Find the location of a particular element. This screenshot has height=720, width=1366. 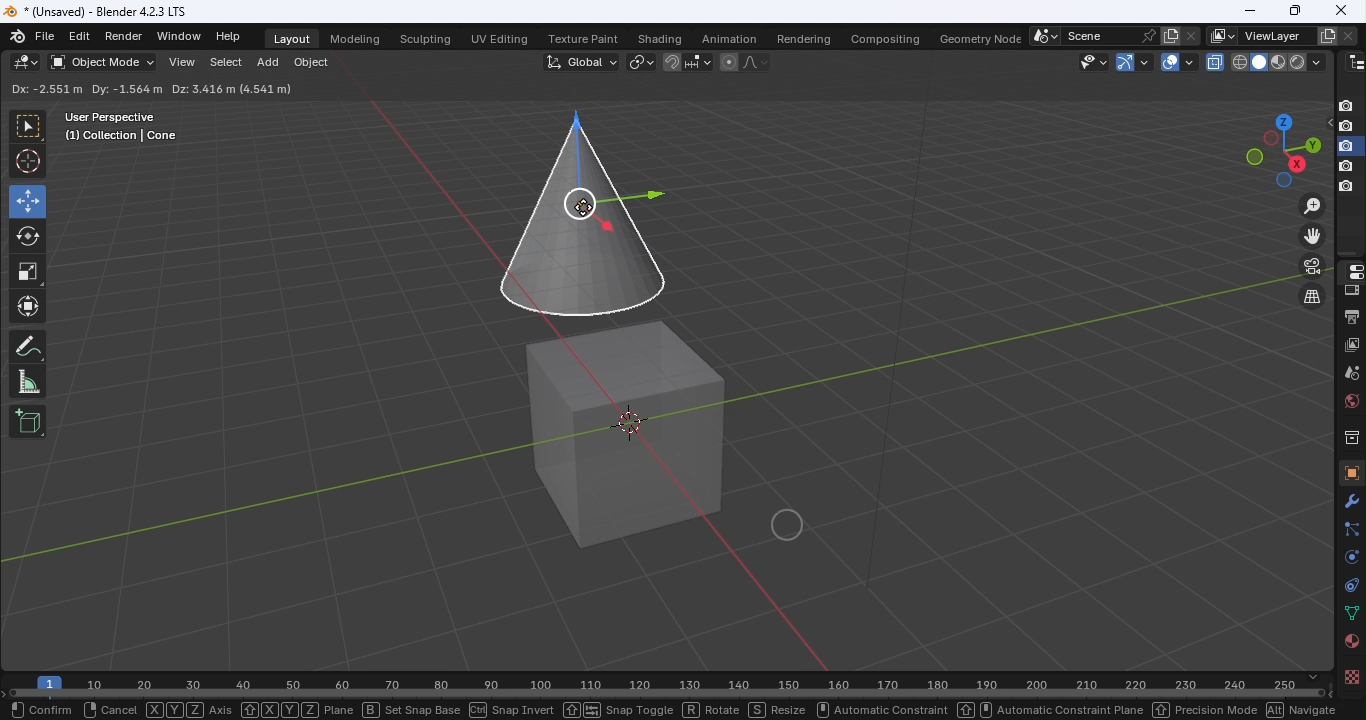

Edit is located at coordinates (79, 37).